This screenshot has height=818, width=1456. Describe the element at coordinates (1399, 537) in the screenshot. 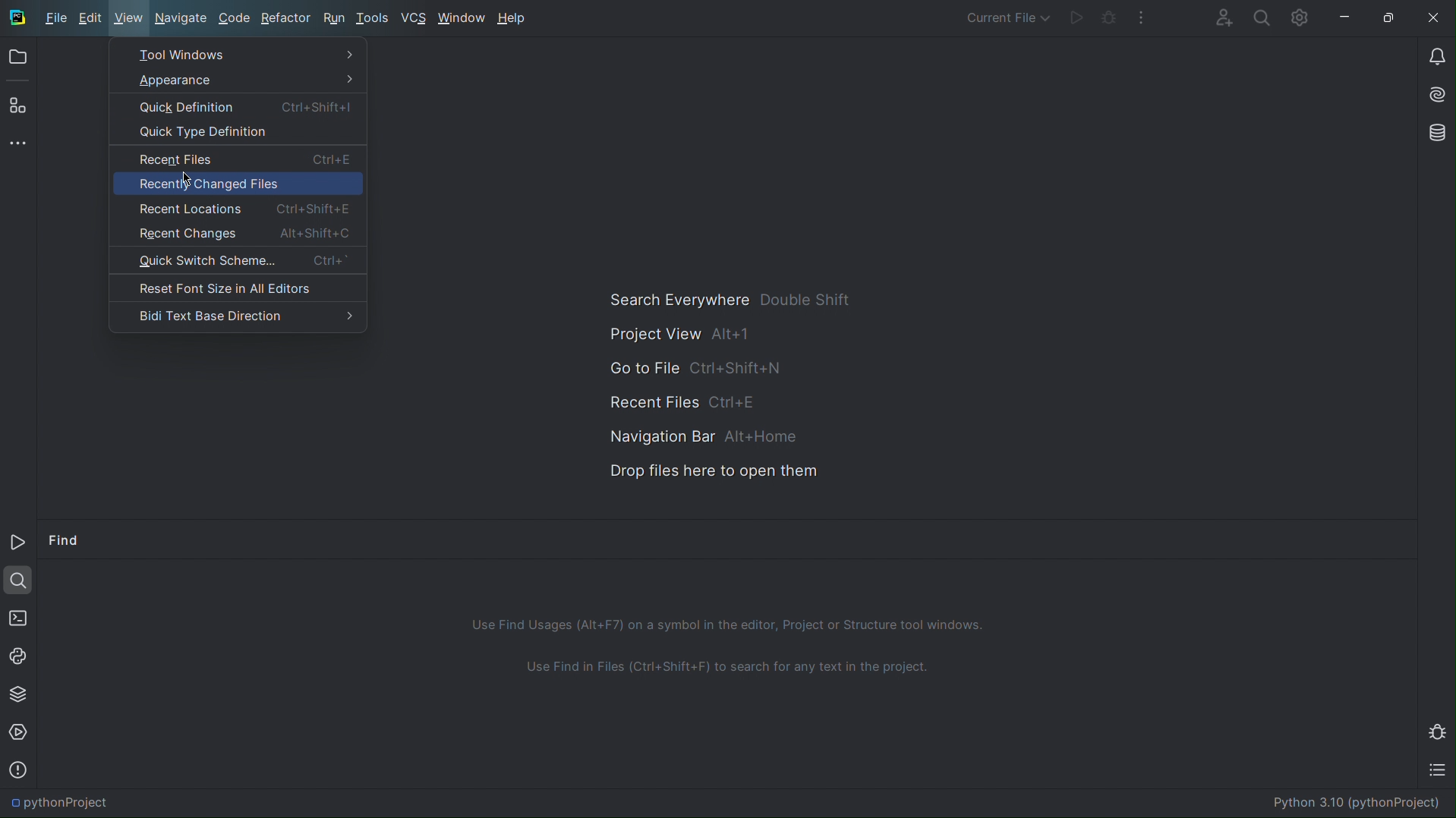

I see `Minimize` at that location.